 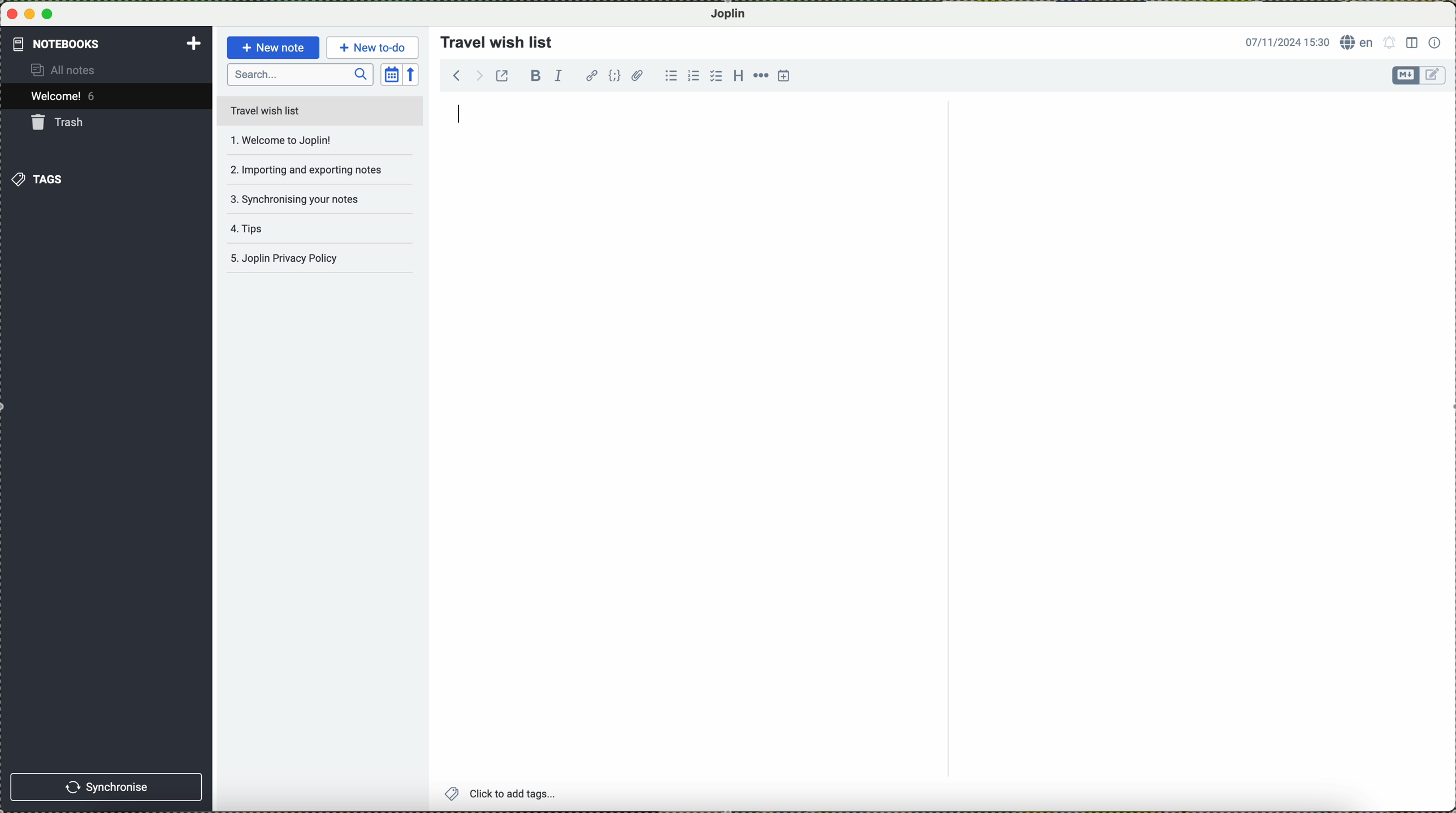 What do you see at coordinates (785, 77) in the screenshot?
I see `insert time` at bounding box center [785, 77].